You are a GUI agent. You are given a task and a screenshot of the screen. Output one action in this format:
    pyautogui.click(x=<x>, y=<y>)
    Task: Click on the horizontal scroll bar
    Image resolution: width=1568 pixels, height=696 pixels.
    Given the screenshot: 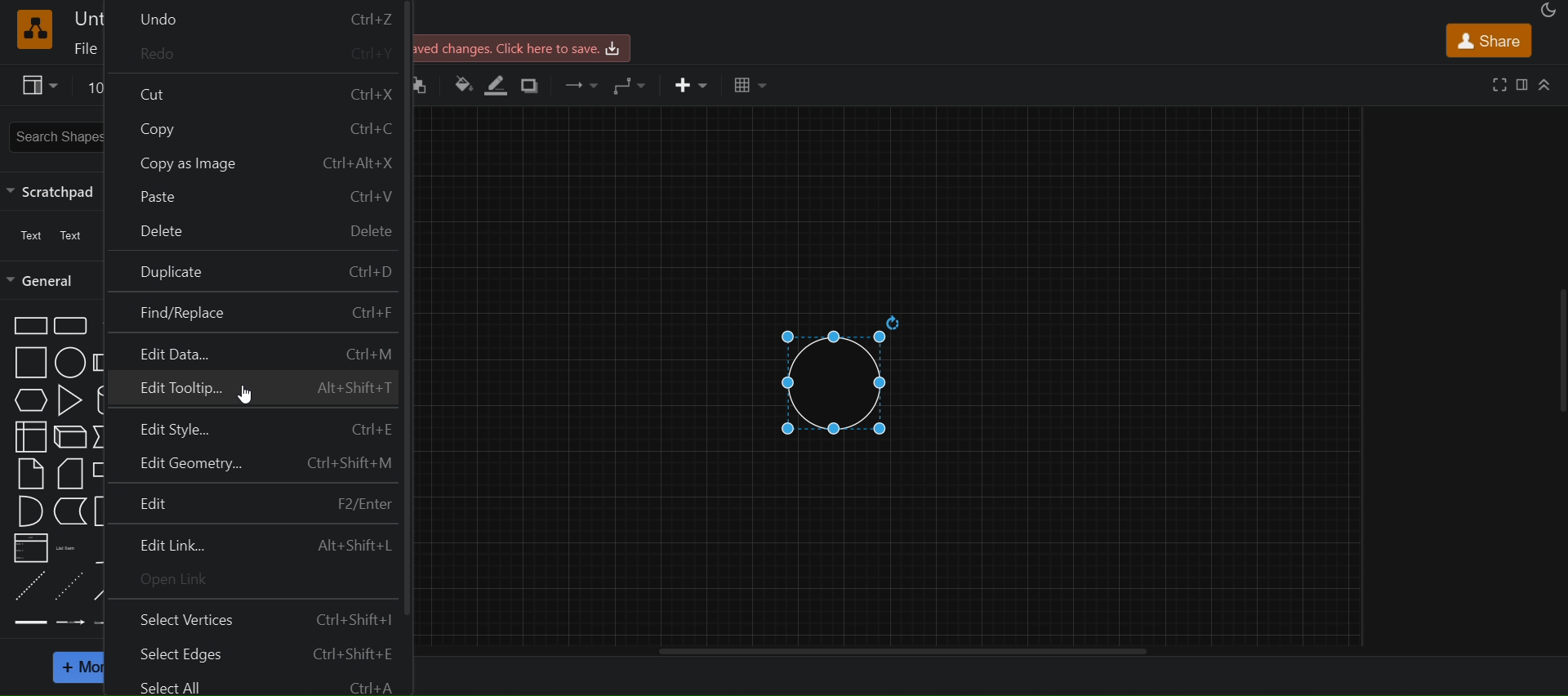 What is the action you would take?
    pyautogui.click(x=902, y=651)
    